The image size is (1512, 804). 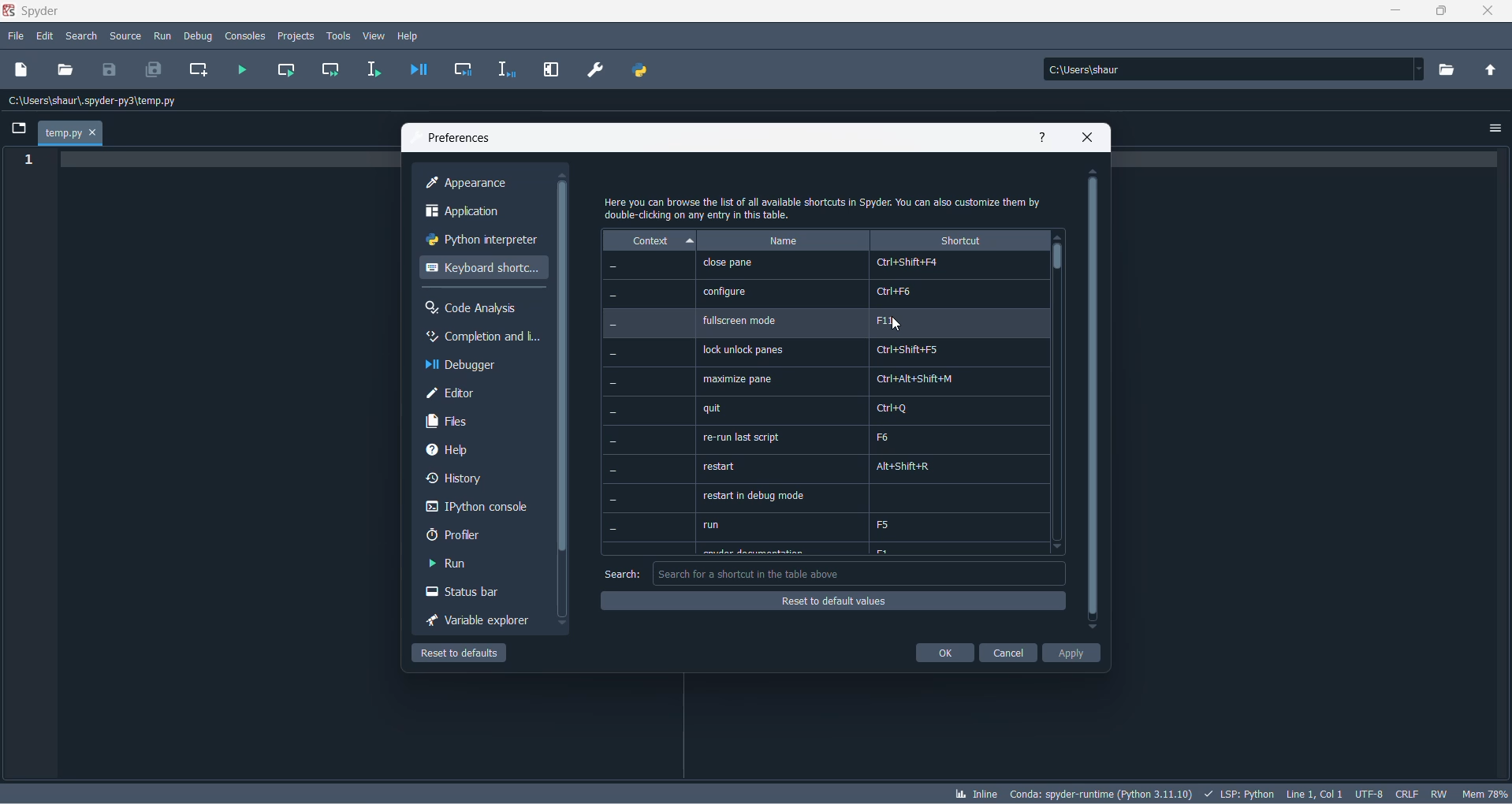 What do you see at coordinates (1057, 237) in the screenshot?
I see `move up` at bounding box center [1057, 237].